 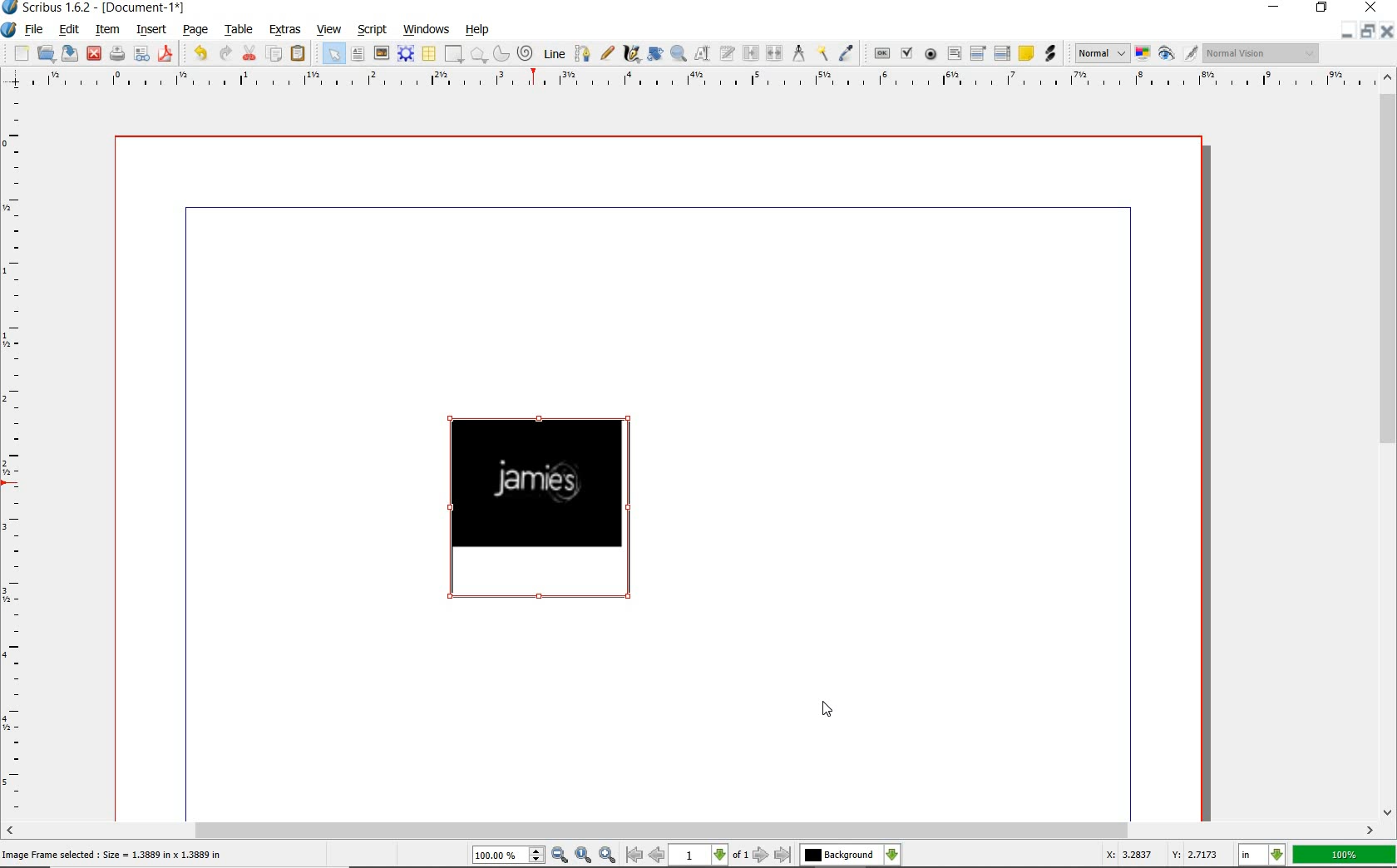 What do you see at coordinates (249, 54) in the screenshot?
I see `CUT` at bounding box center [249, 54].